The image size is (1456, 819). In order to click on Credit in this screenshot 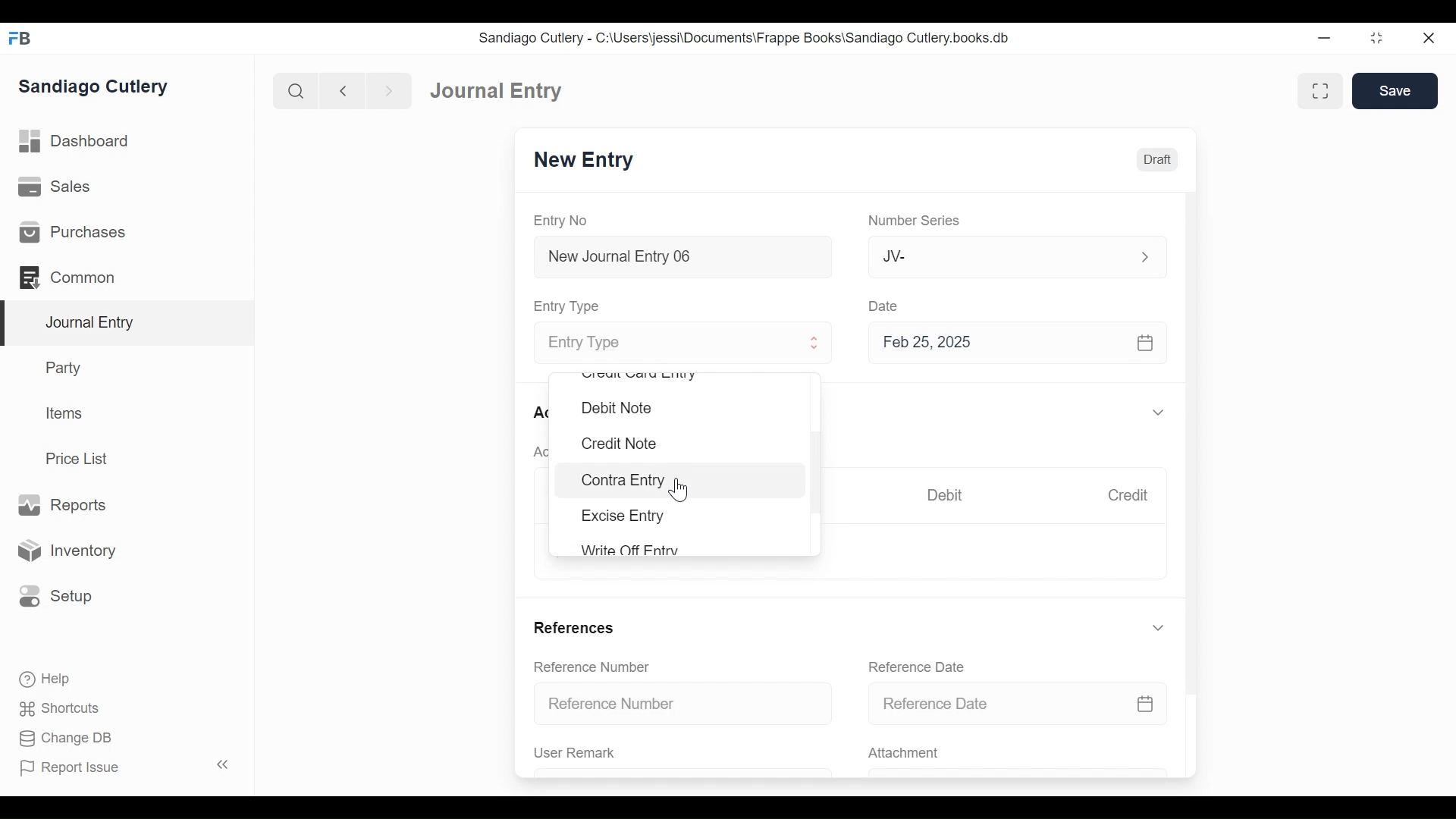, I will do `click(1127, 495)`.